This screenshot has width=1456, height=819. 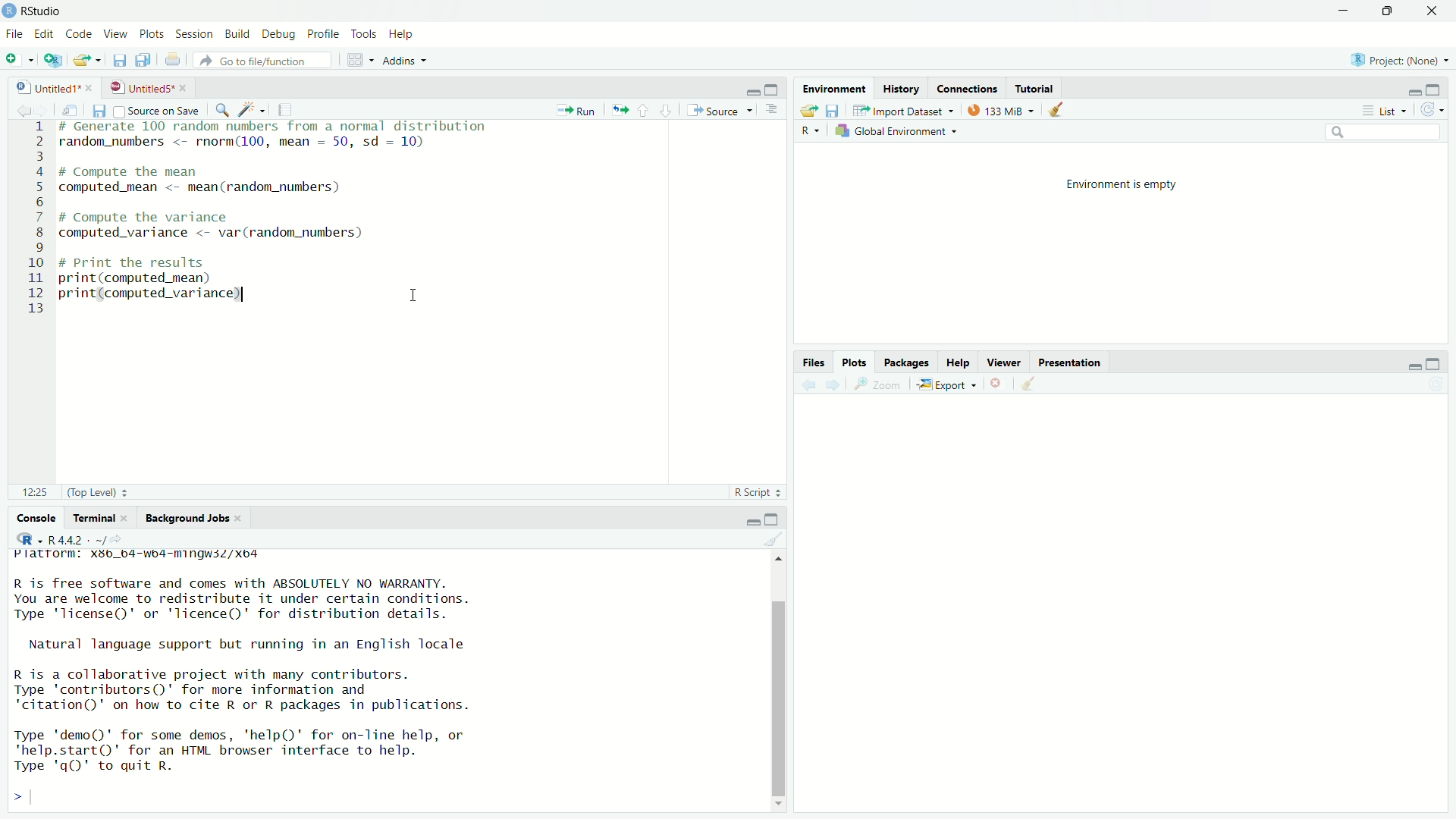 I want to click on minimize, so click(x=1409, y=89).